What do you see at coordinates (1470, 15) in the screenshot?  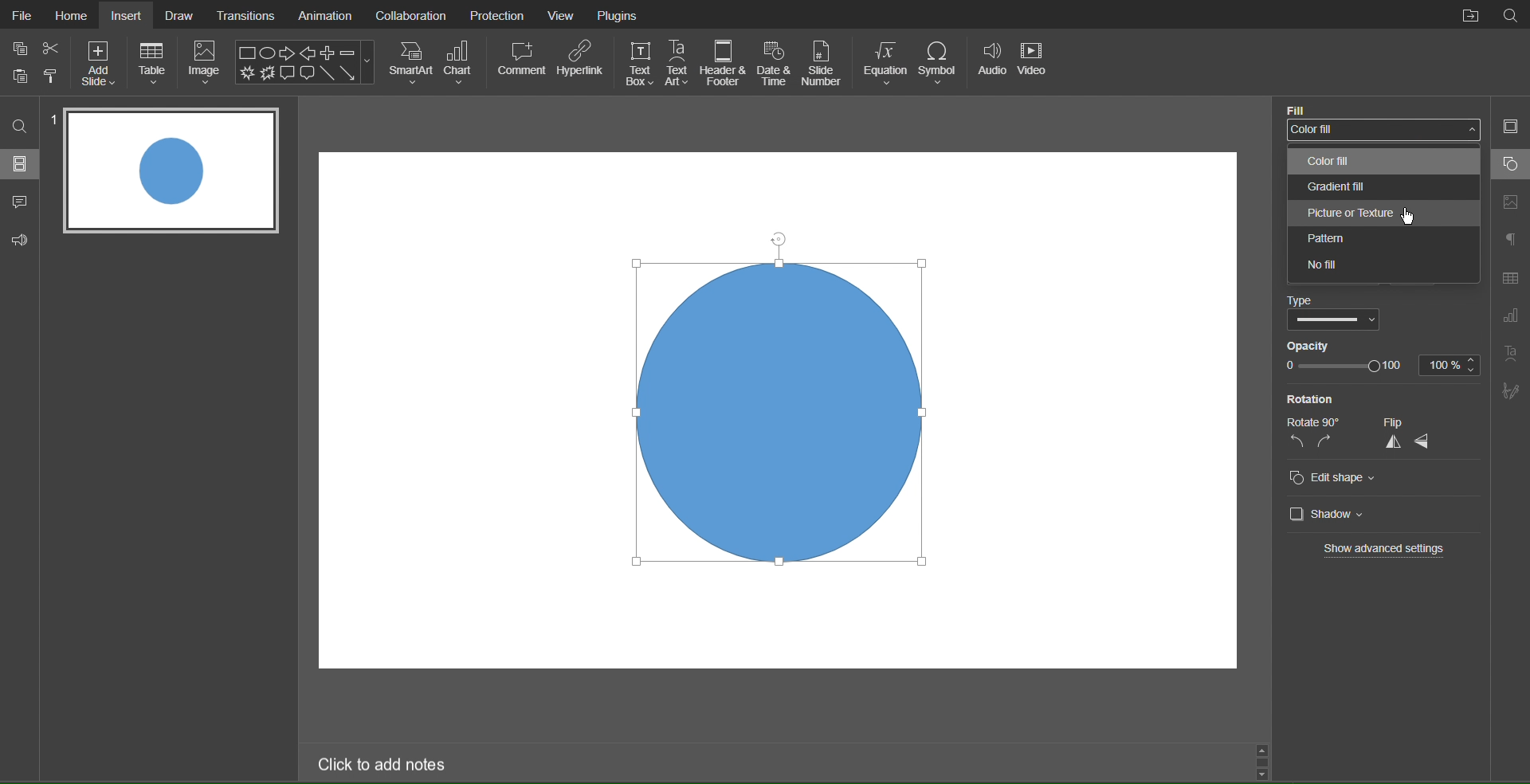 I see `Open File Location` at bounding box center [1470, 15].